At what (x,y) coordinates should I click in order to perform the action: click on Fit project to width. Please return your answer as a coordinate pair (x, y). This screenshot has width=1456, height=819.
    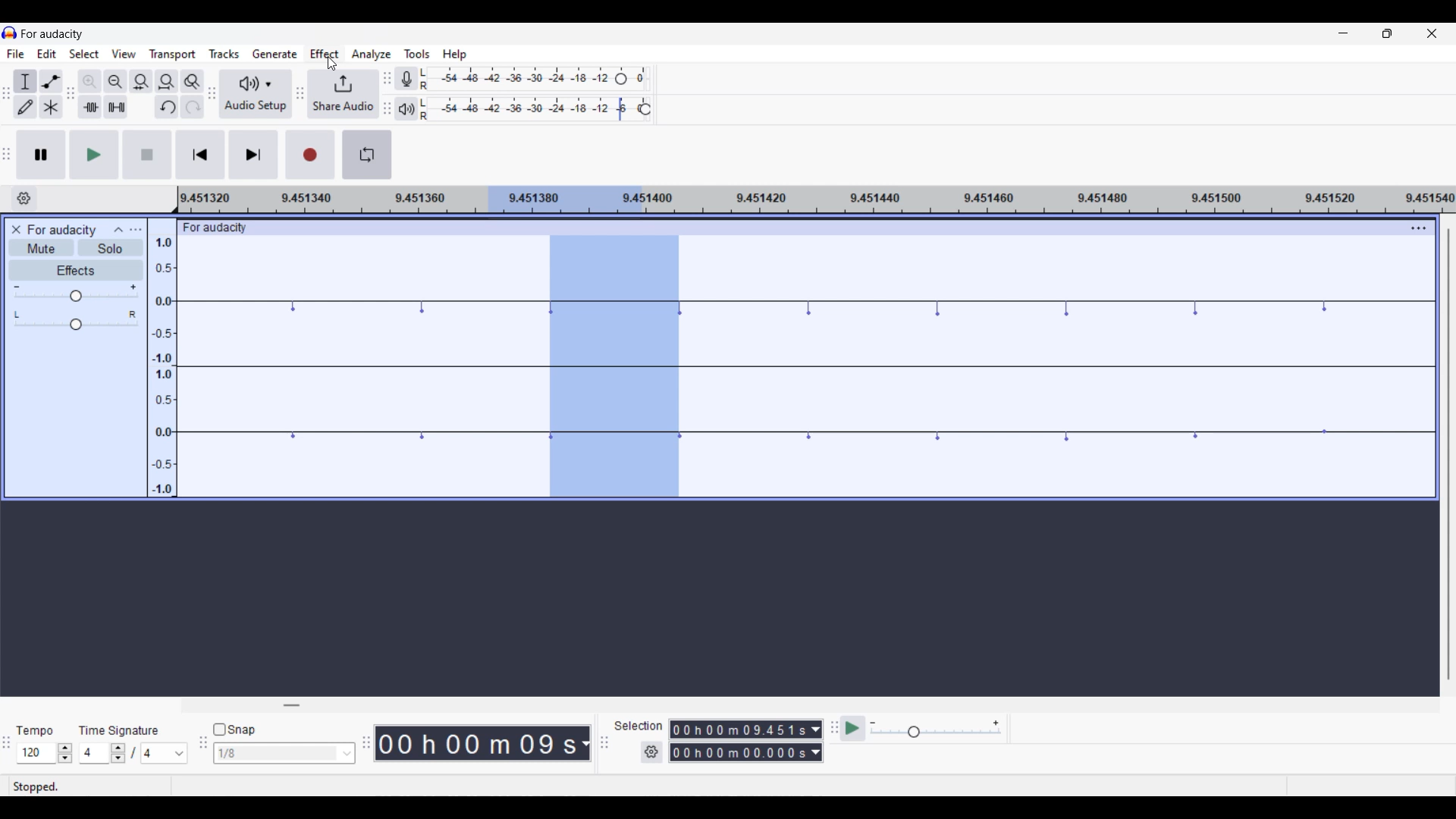
    Looking at the image, I should click on (167, 81).